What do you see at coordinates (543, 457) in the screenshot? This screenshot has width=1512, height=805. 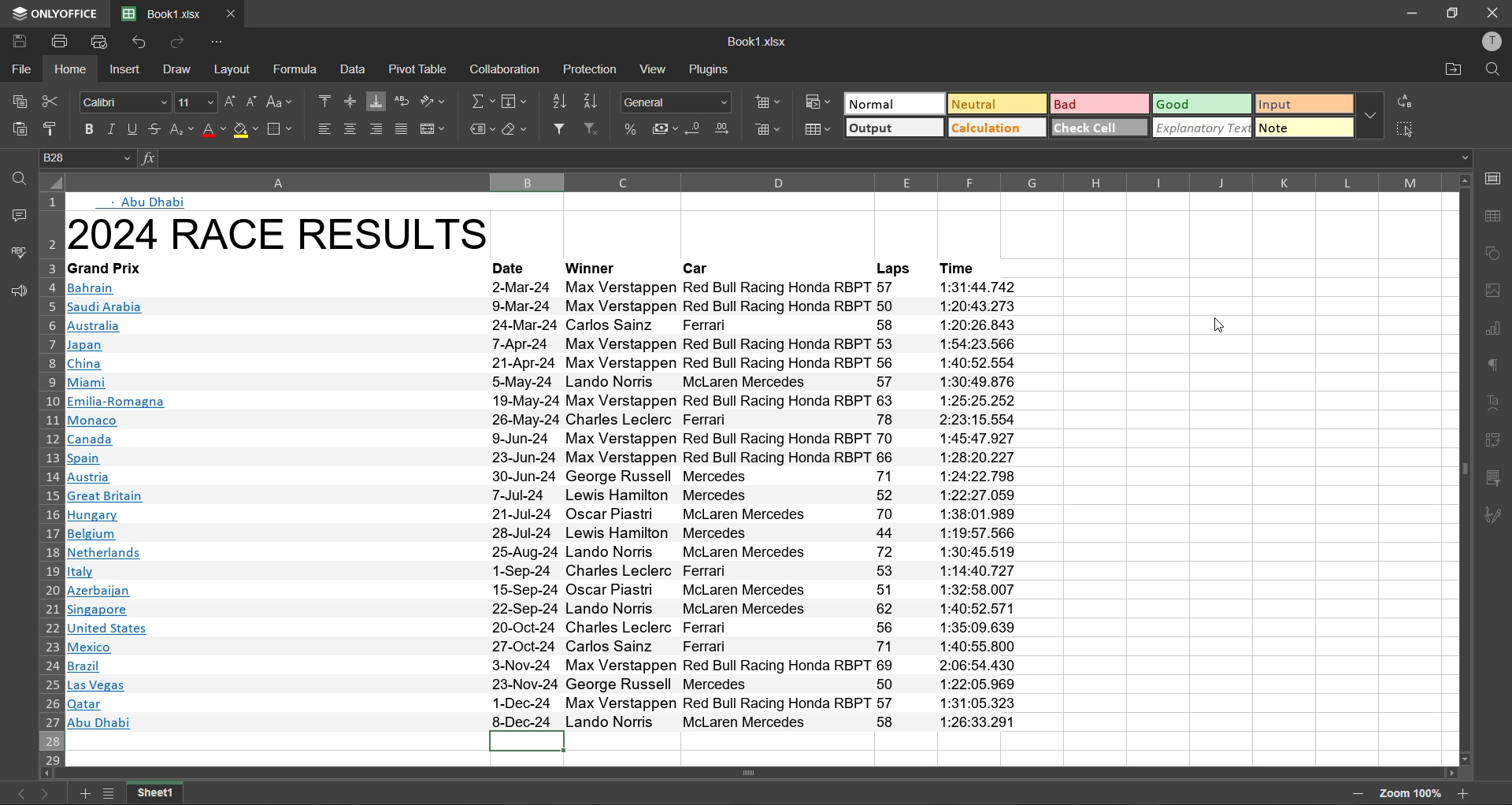 I see `spain 23-Jun-24 Max Verstappen Red Bull Racing Honda RBPT 66 1:28:20.227` at bounding box center [543, 457].